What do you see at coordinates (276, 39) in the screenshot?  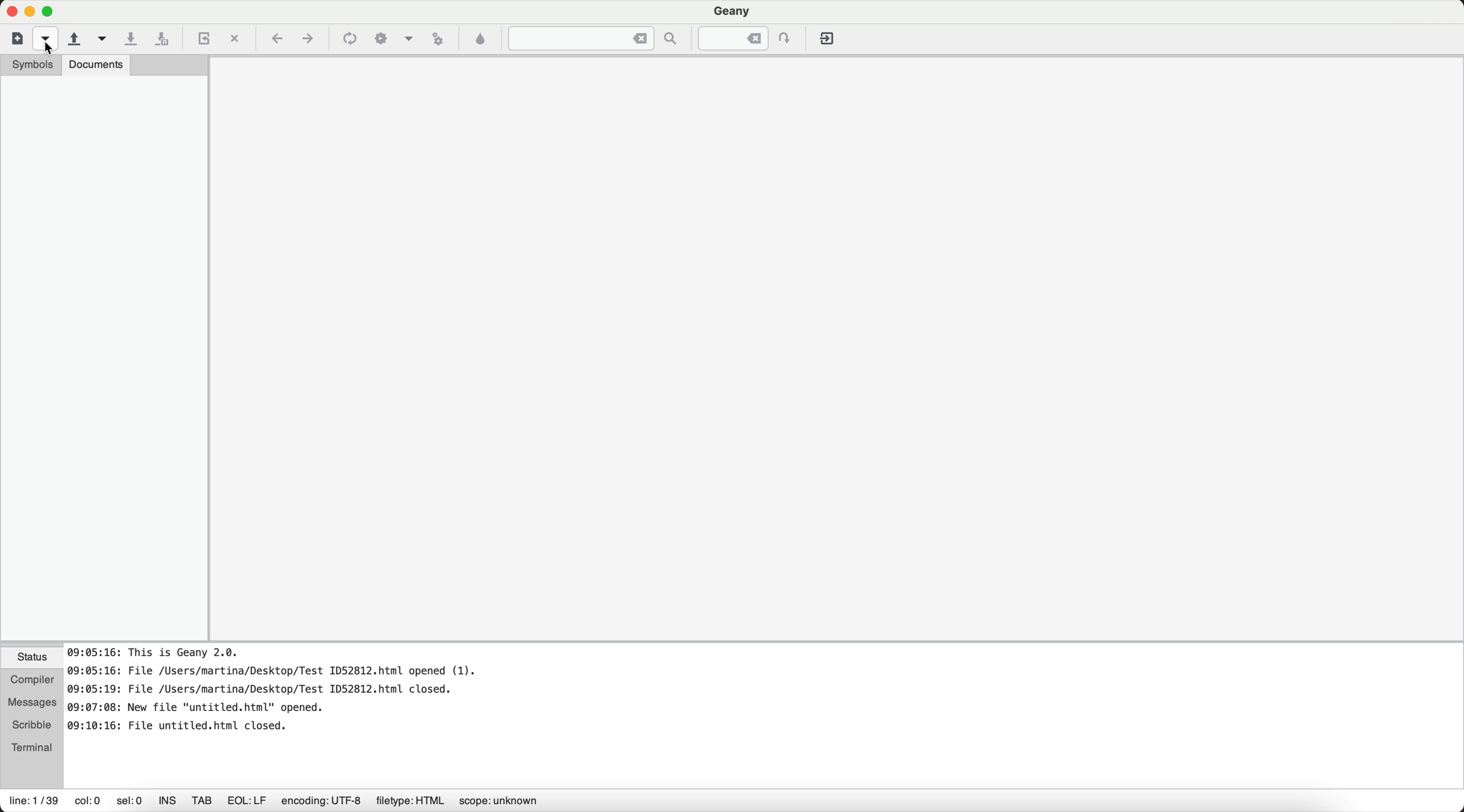 I see `navigate back` at bounding box center [276, 39].